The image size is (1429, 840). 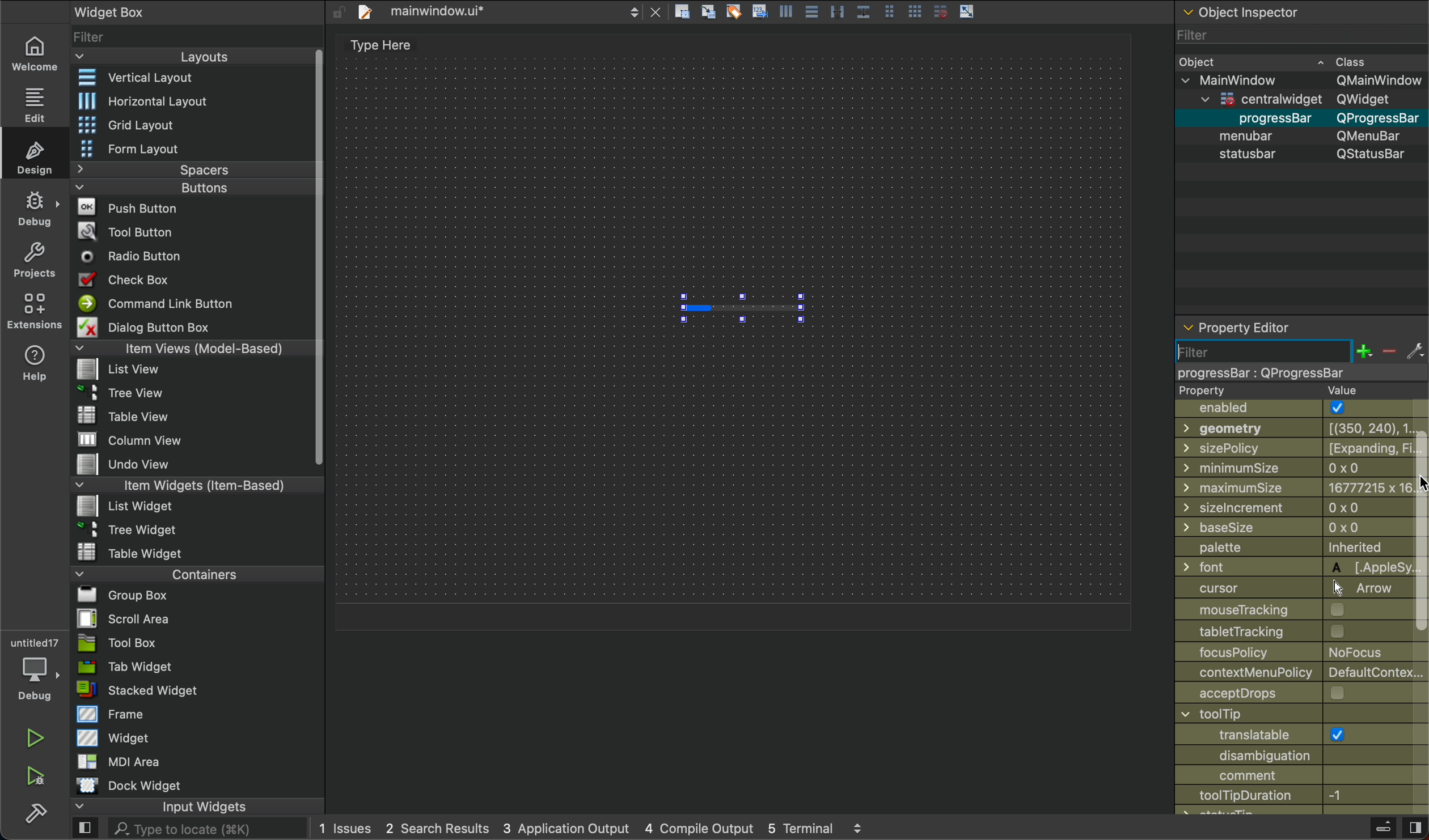 What do you see at coordinates (591, 830) in the screenshot?
I see `logs` at bounding box center [591, 830].